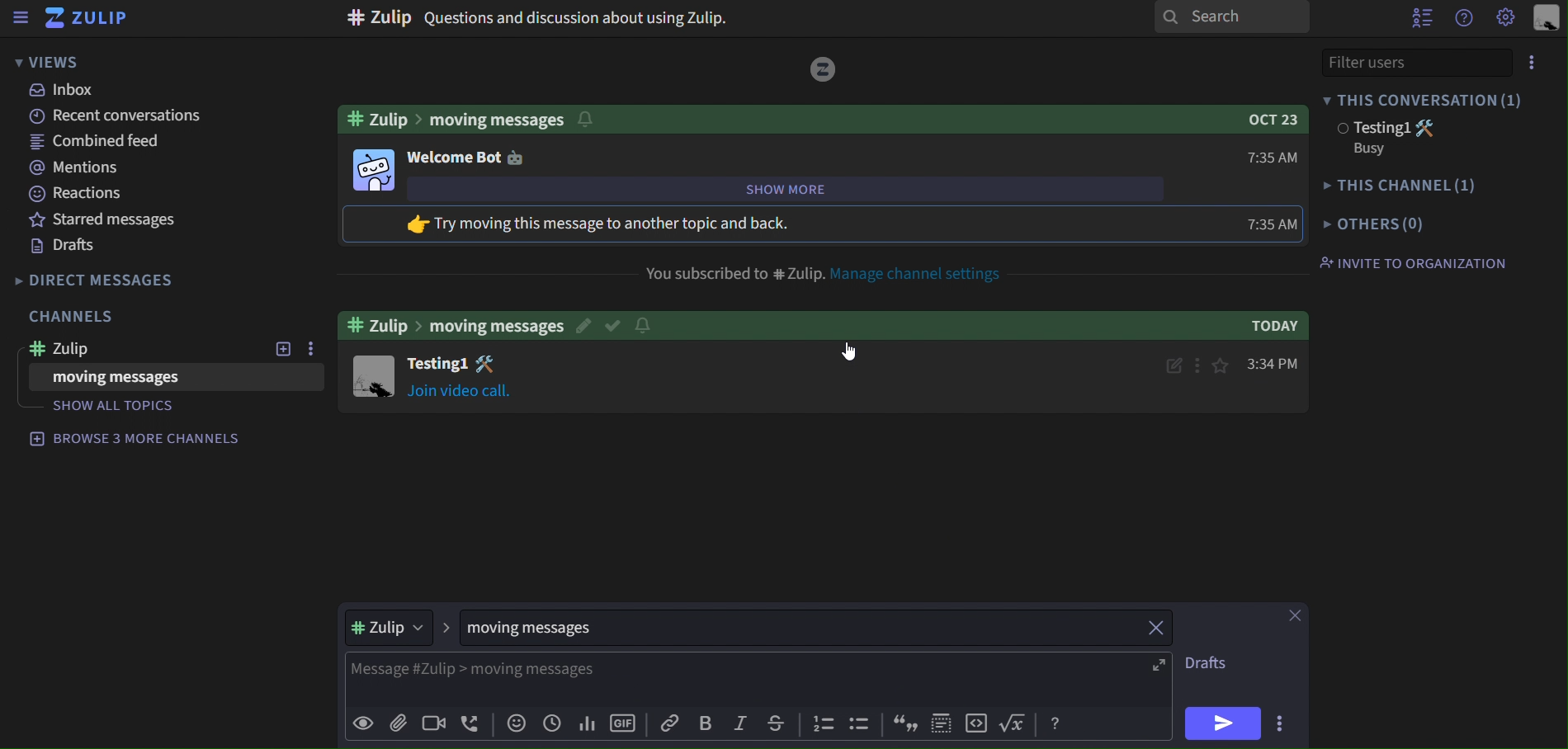 This screenshot has width=1568, height=749. What do you see at coordinates (396, 723) in the screenshot?
I see `add file` at bounding box center [396, 723].